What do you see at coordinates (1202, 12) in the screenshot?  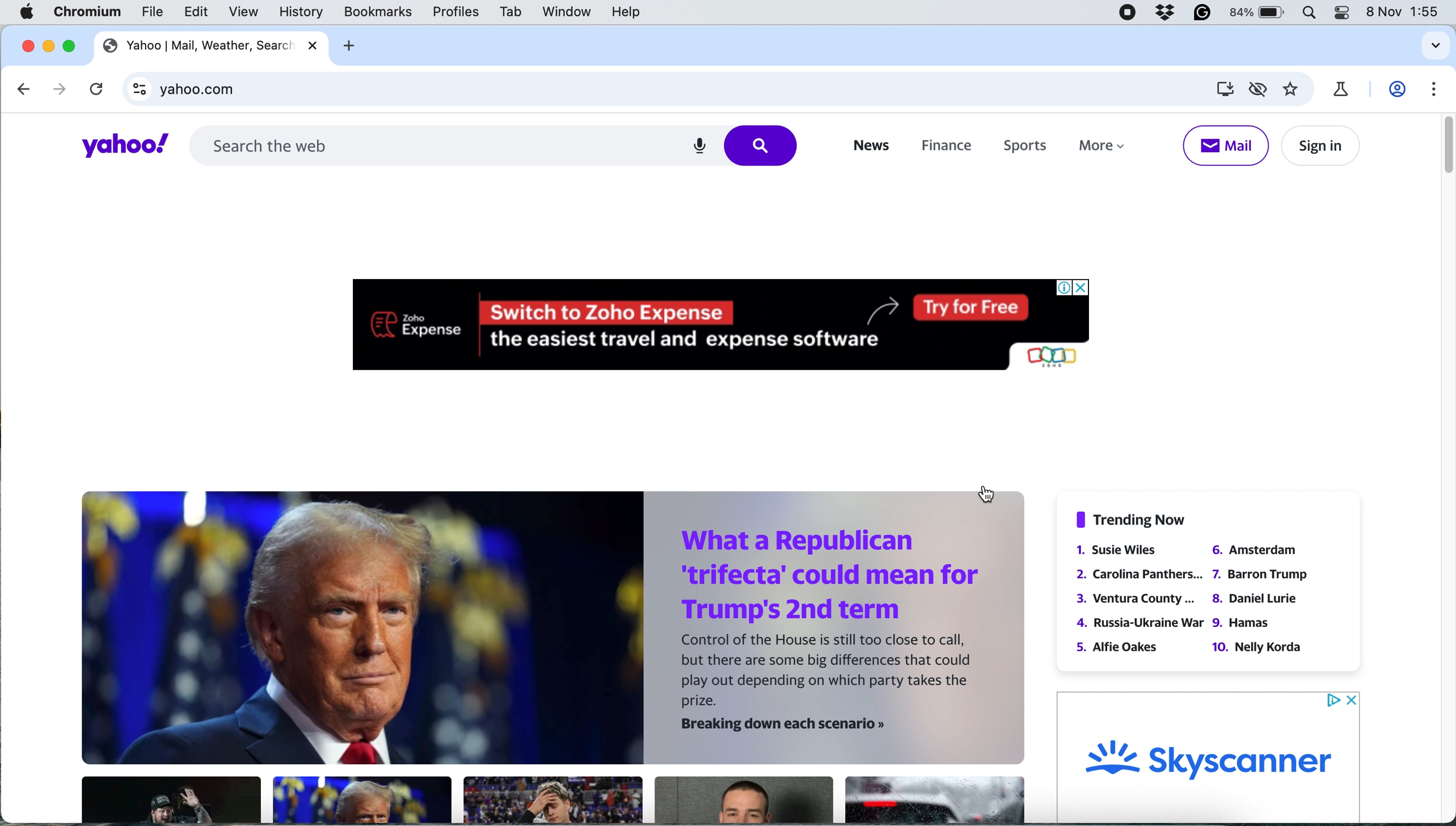 I see `grammarly` at bounding box center [1202, 12].